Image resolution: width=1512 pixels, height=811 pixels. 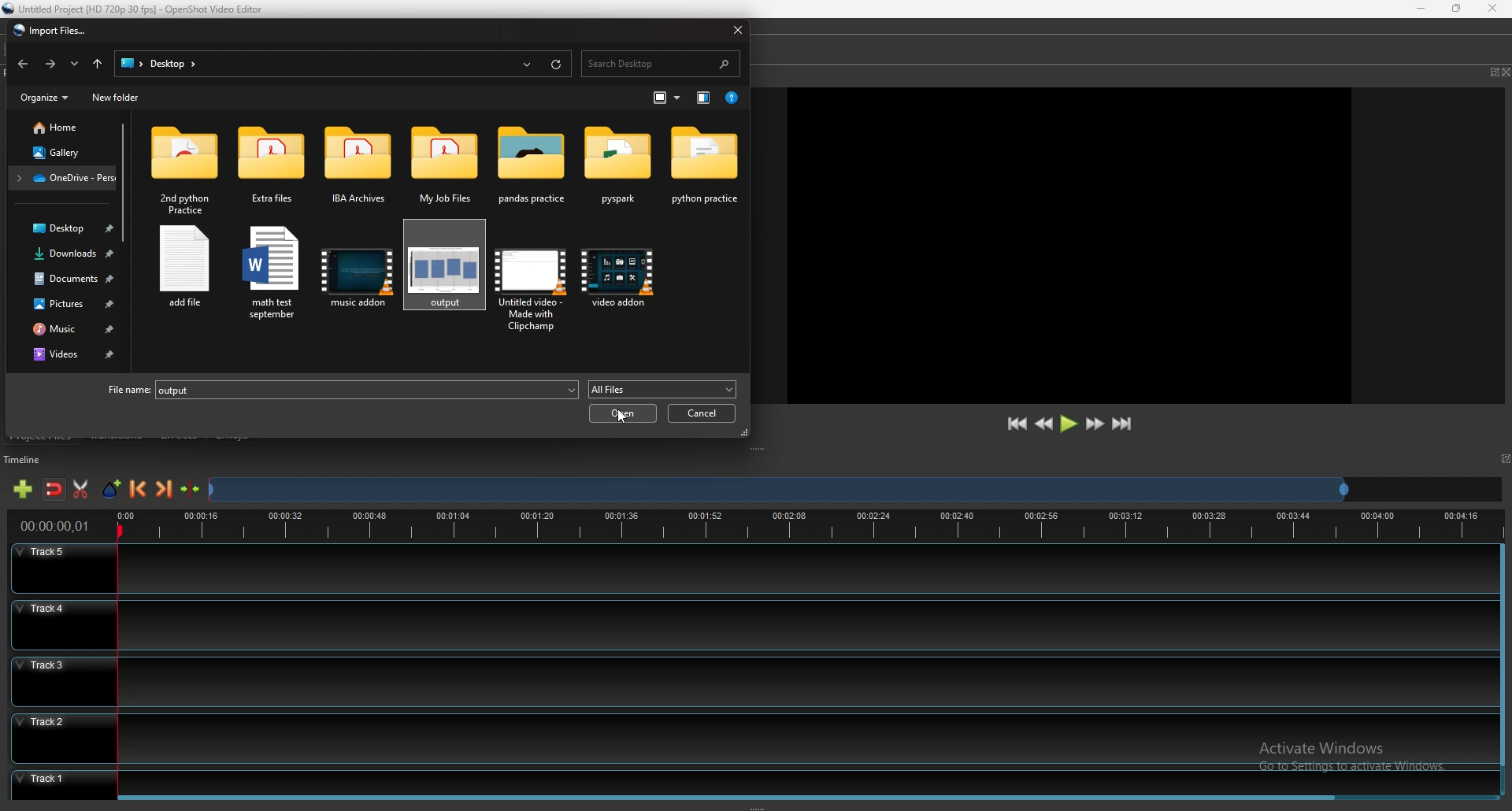 What do you see at coordinates (358, 275) in the screenshot?
I see `file` at bounding box center [358, 275].